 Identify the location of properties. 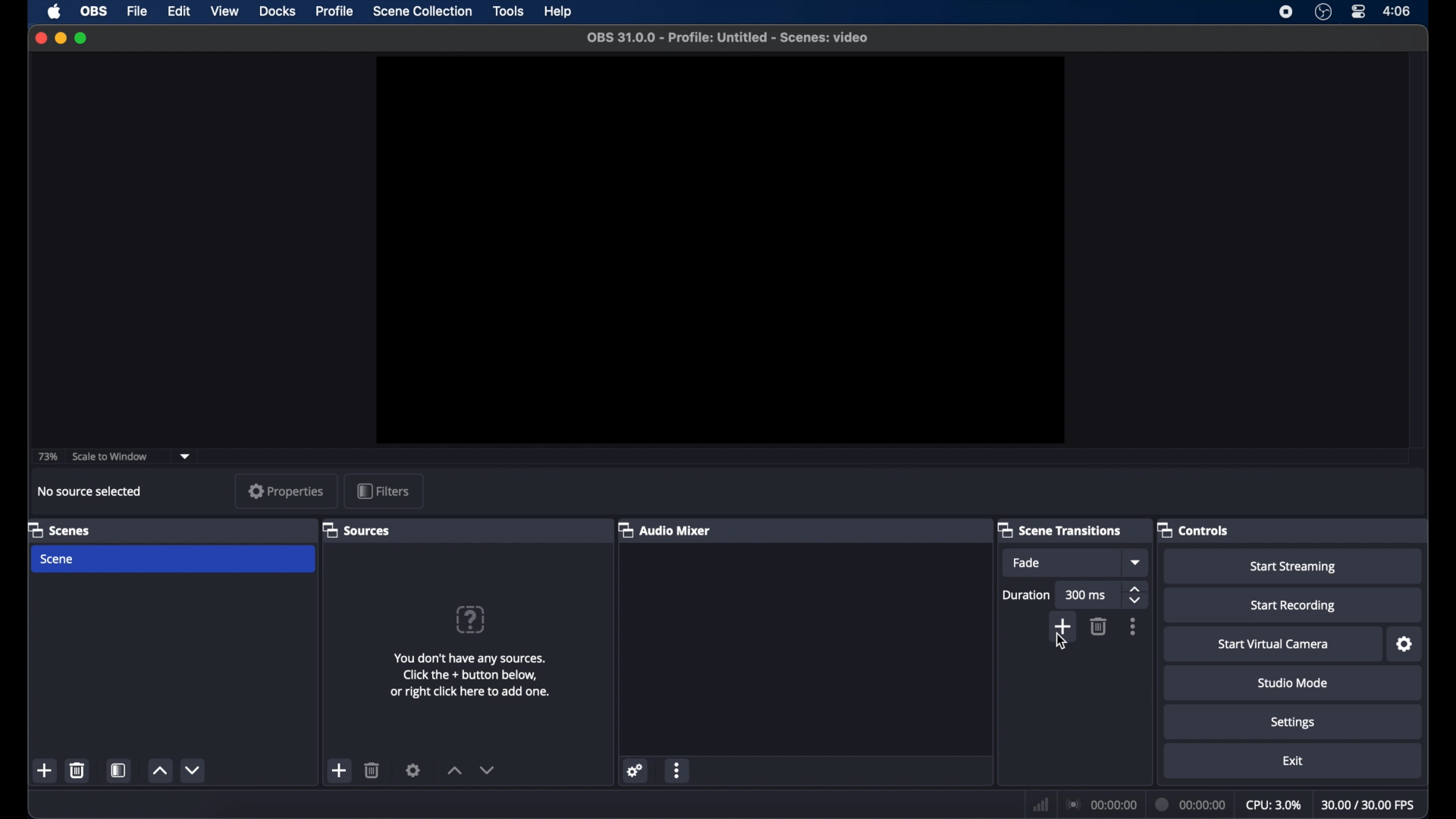
(285, 491).